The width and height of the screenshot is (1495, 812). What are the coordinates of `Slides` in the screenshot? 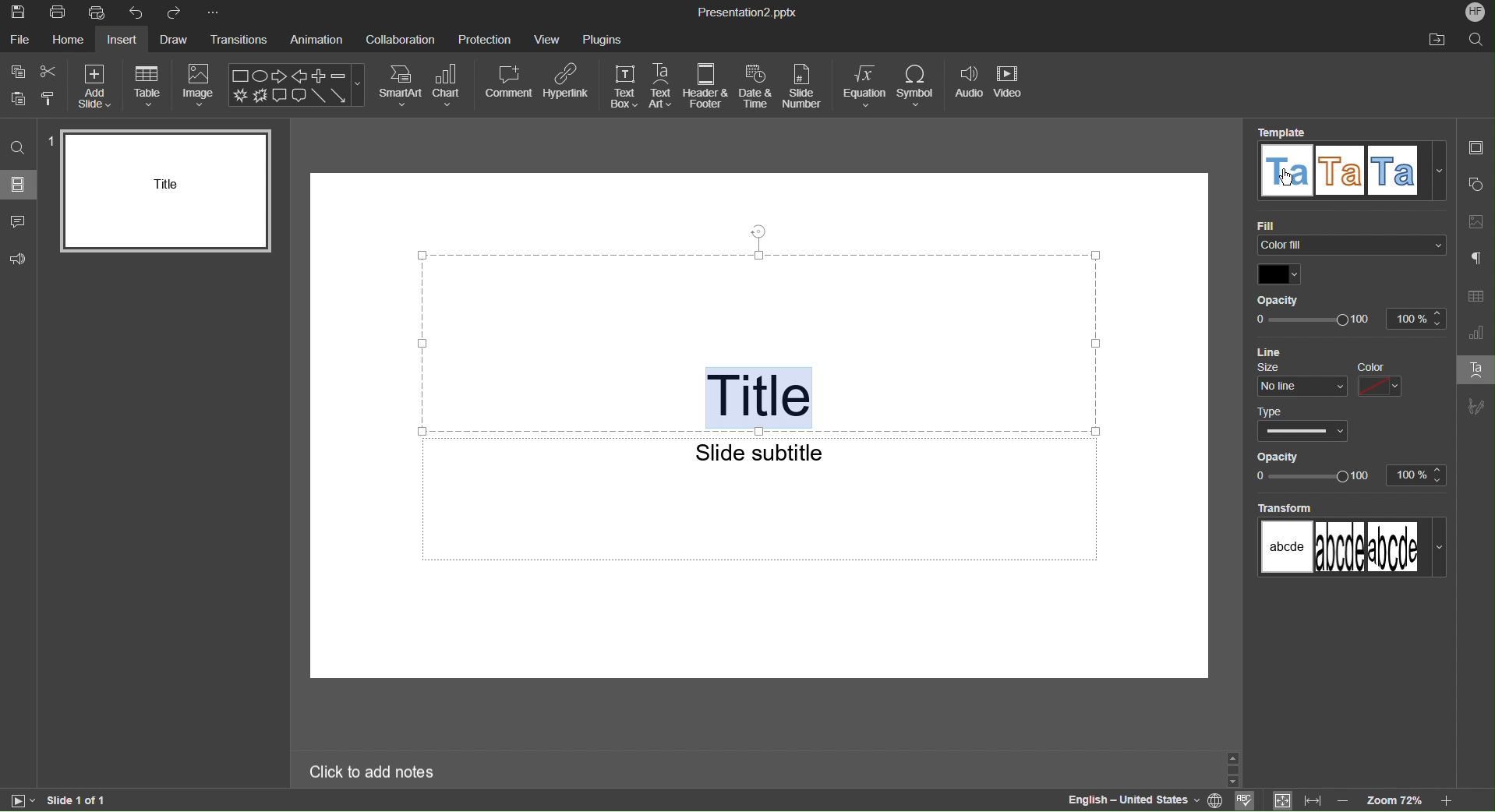 It's located at (1478, 148).